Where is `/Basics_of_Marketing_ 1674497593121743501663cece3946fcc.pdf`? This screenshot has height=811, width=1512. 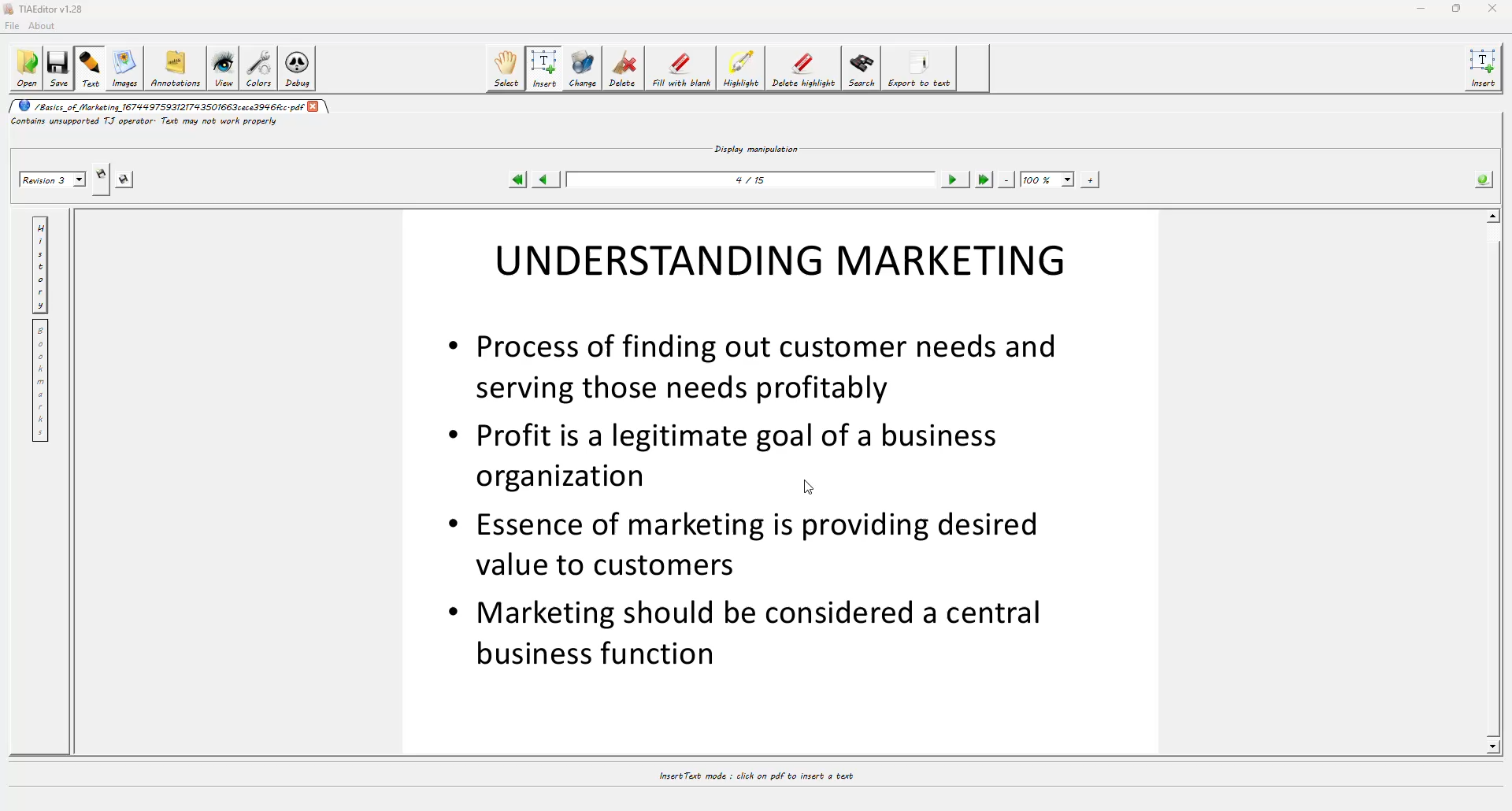 /Basics_of_Marketing_ 1674497593121743501663cece3946fcc.pdf is located at coordinates (160, 106).